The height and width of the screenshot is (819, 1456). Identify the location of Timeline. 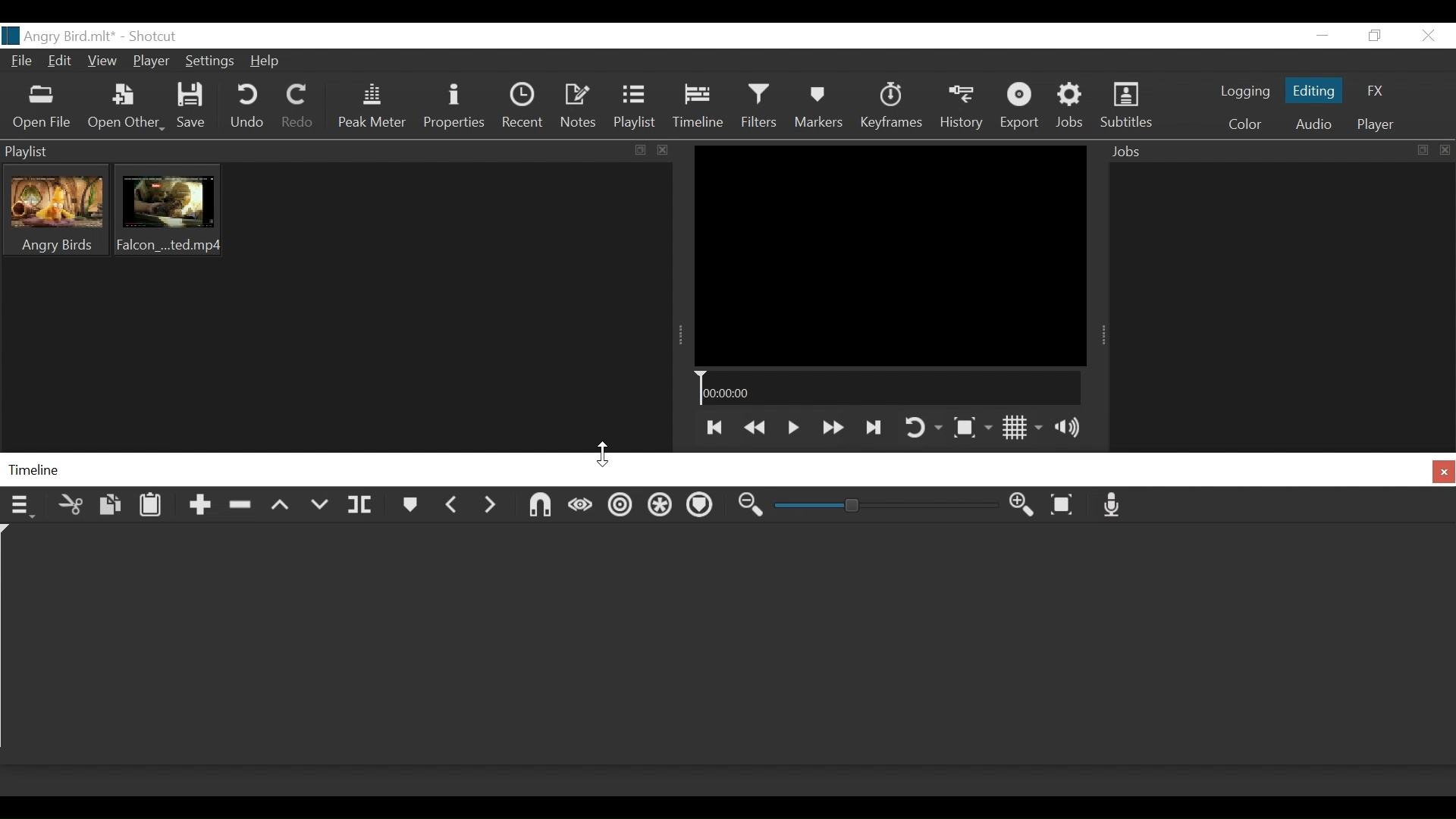
(701, 108).